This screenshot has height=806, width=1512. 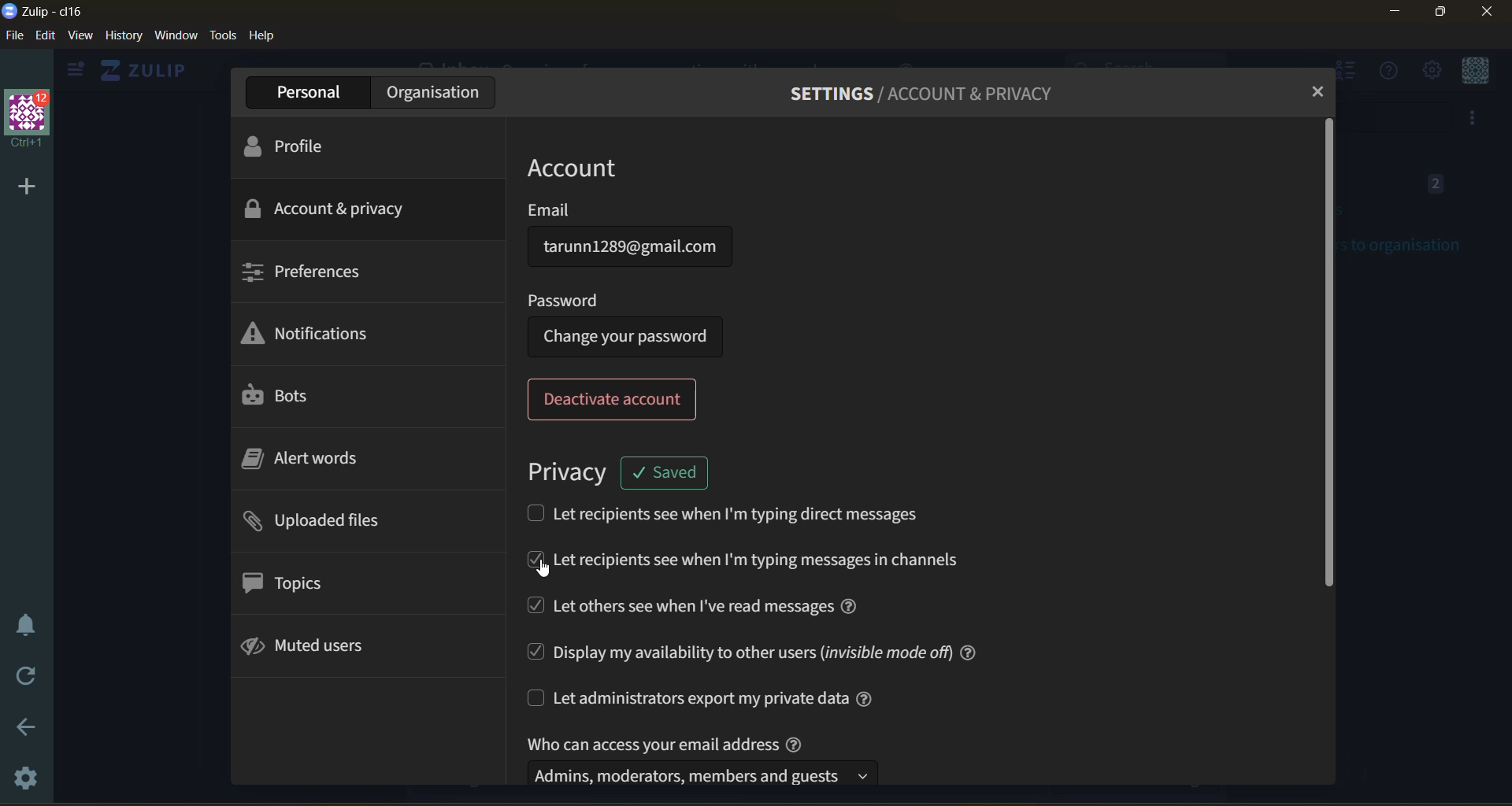 I want to click on muted users, so click(x=312, y=649).